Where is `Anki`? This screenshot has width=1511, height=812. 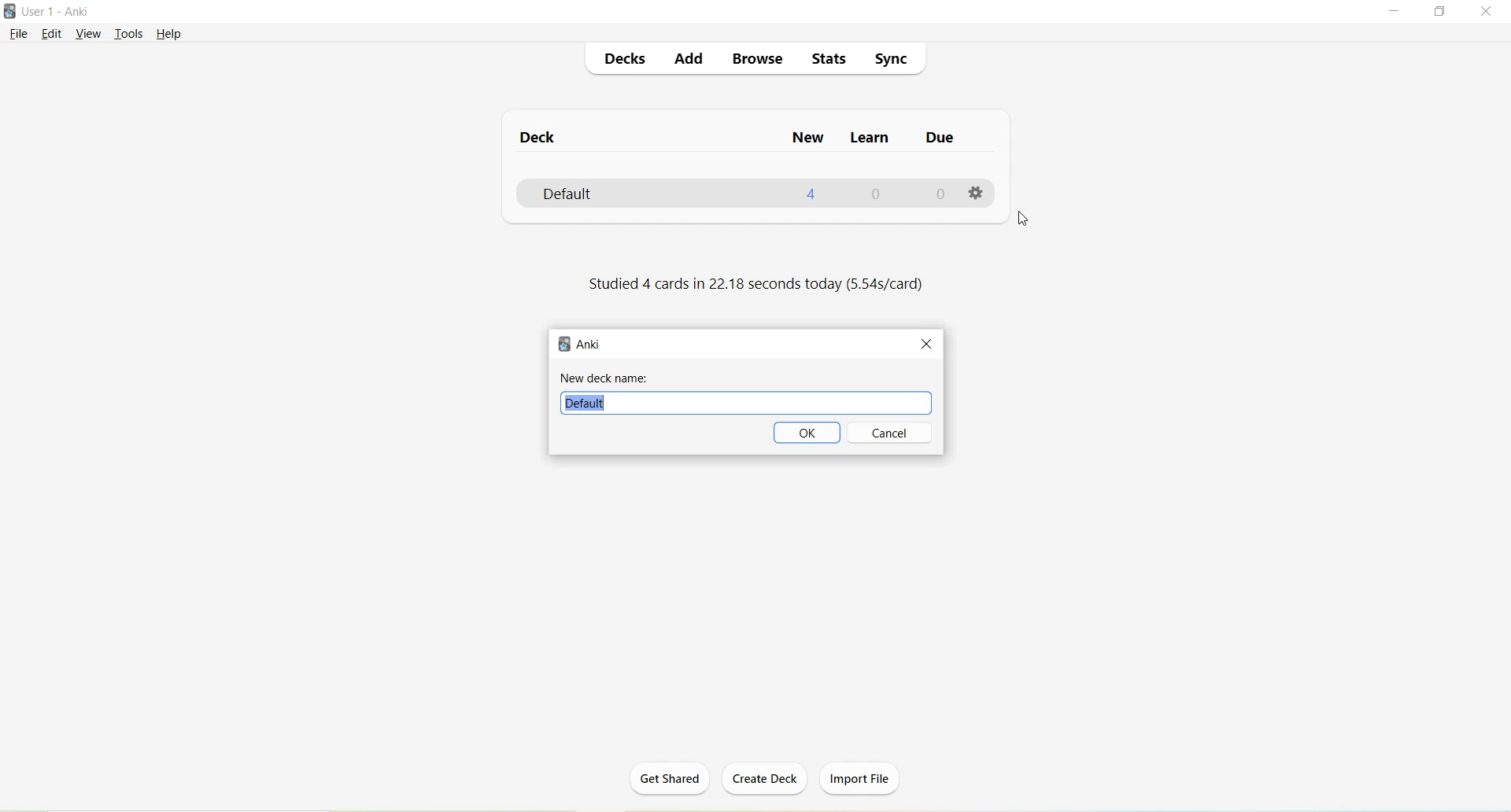 Anki is located at coordinates (580, 343).